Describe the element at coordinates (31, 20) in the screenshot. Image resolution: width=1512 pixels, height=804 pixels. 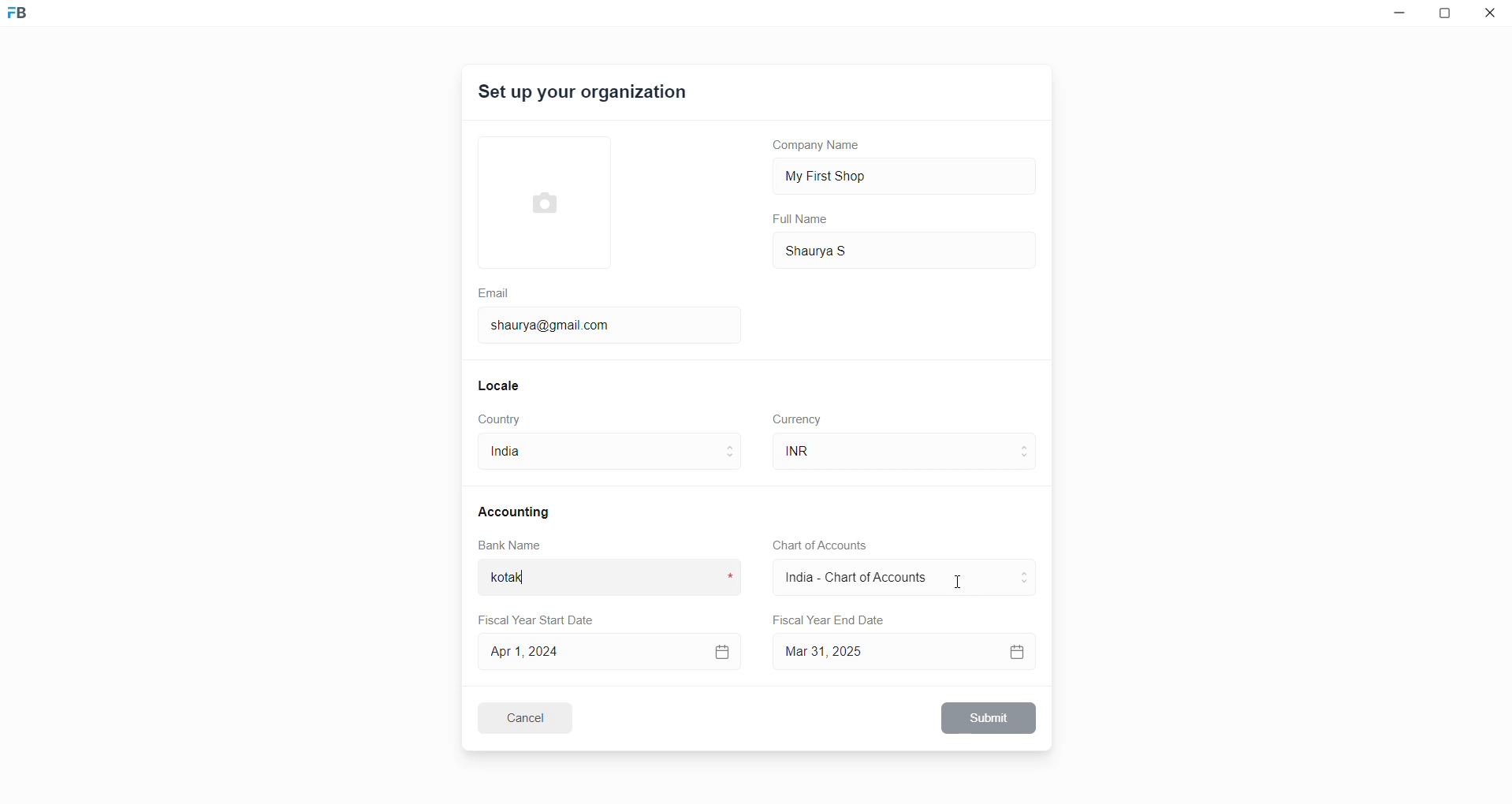
I see `Frappe Book logo` at that location.